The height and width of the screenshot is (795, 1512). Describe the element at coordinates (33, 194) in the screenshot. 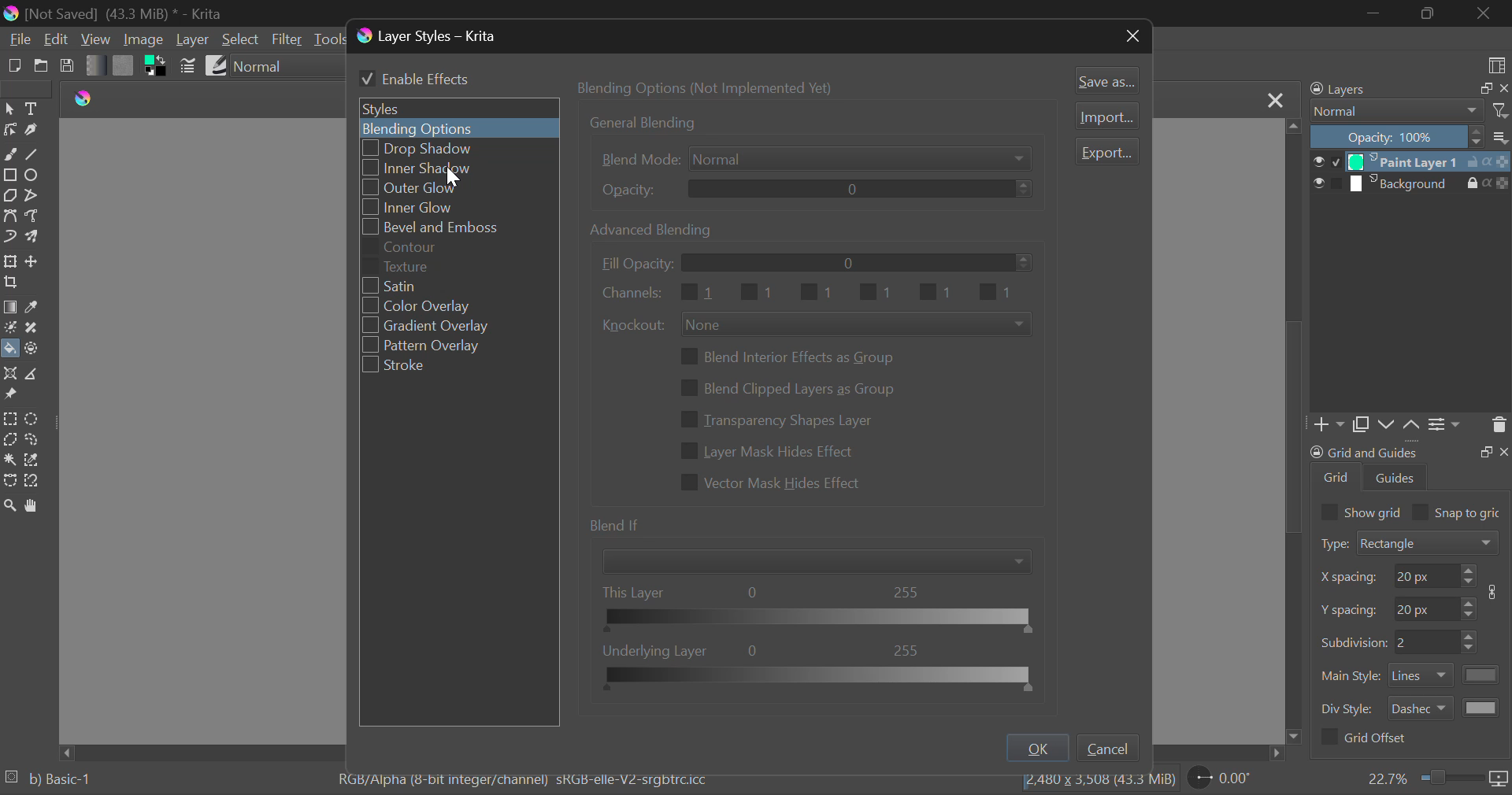

I see `Polyline` at that location.